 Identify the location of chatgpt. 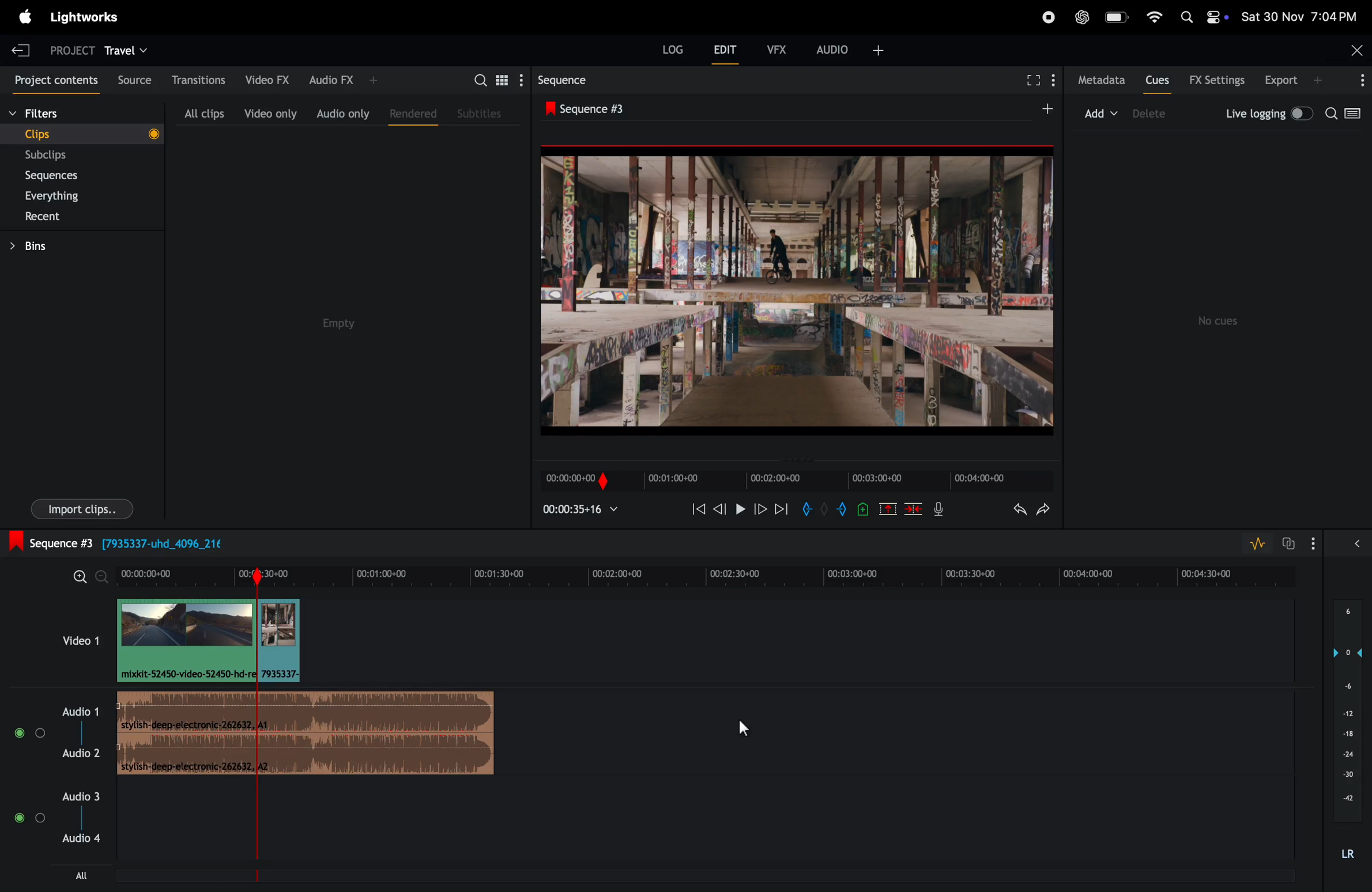
(1083, 16).